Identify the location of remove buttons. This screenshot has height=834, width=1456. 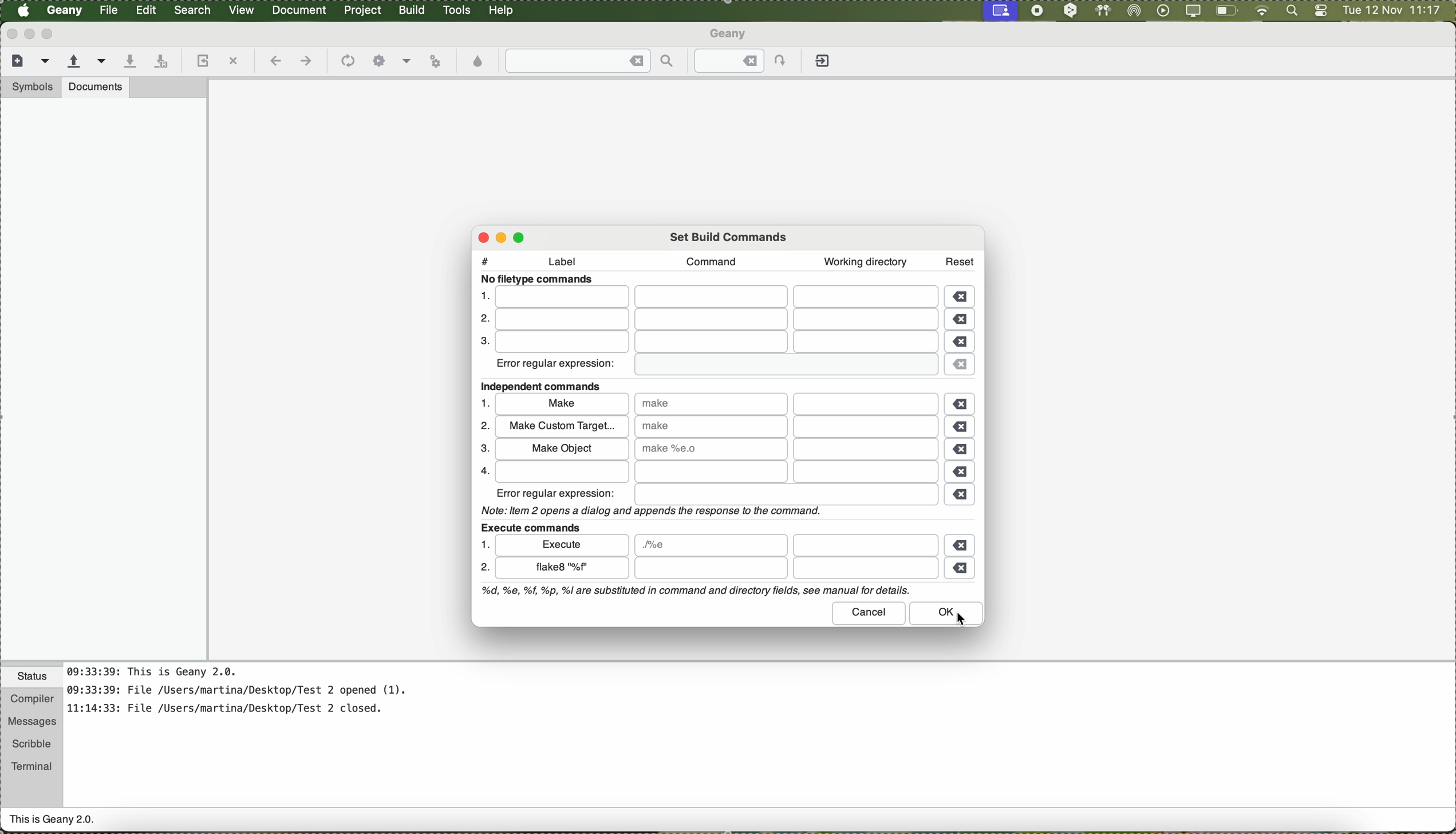
(962, 433).